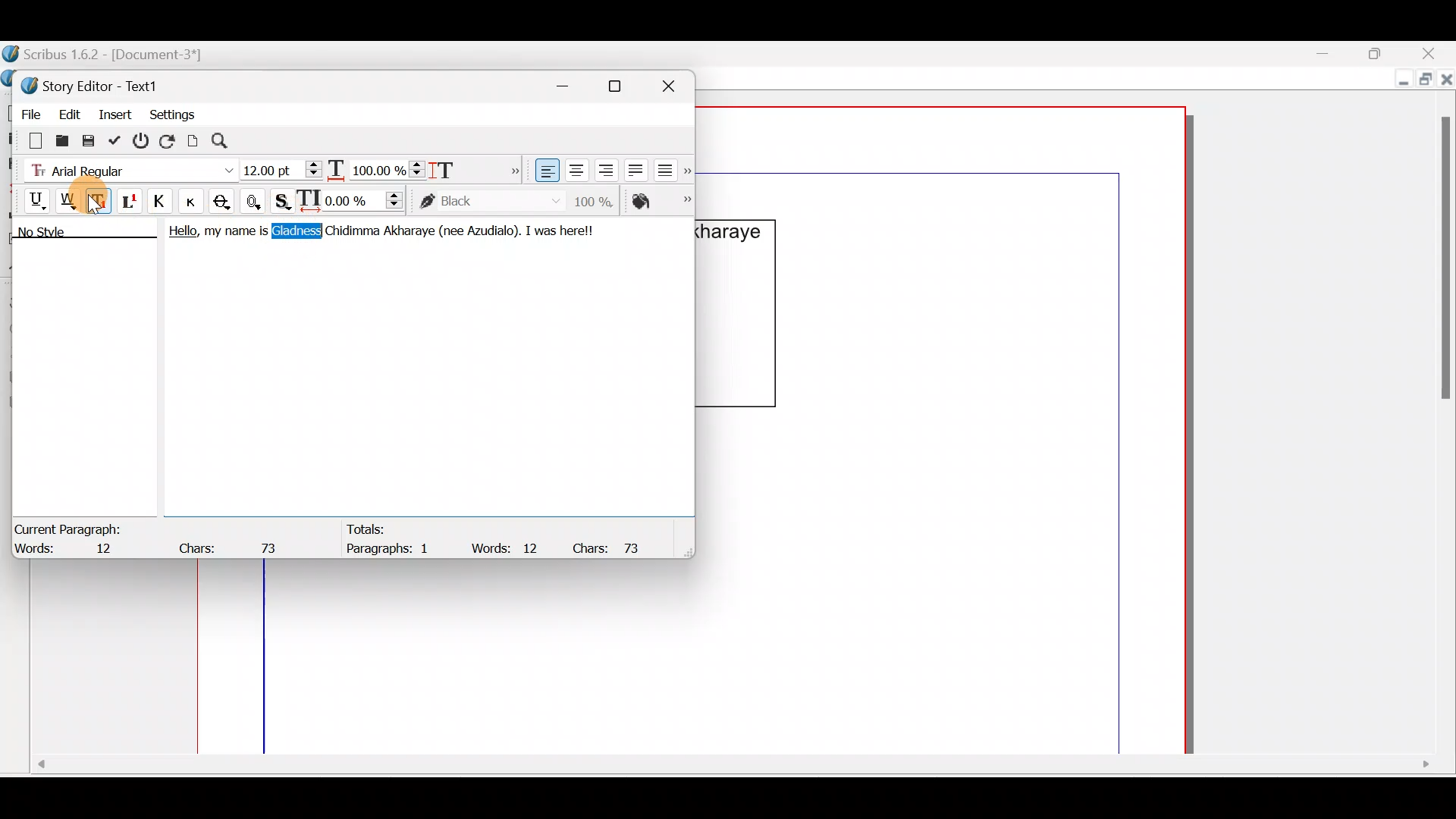  I want to click on Align text right, so click(603, 171).